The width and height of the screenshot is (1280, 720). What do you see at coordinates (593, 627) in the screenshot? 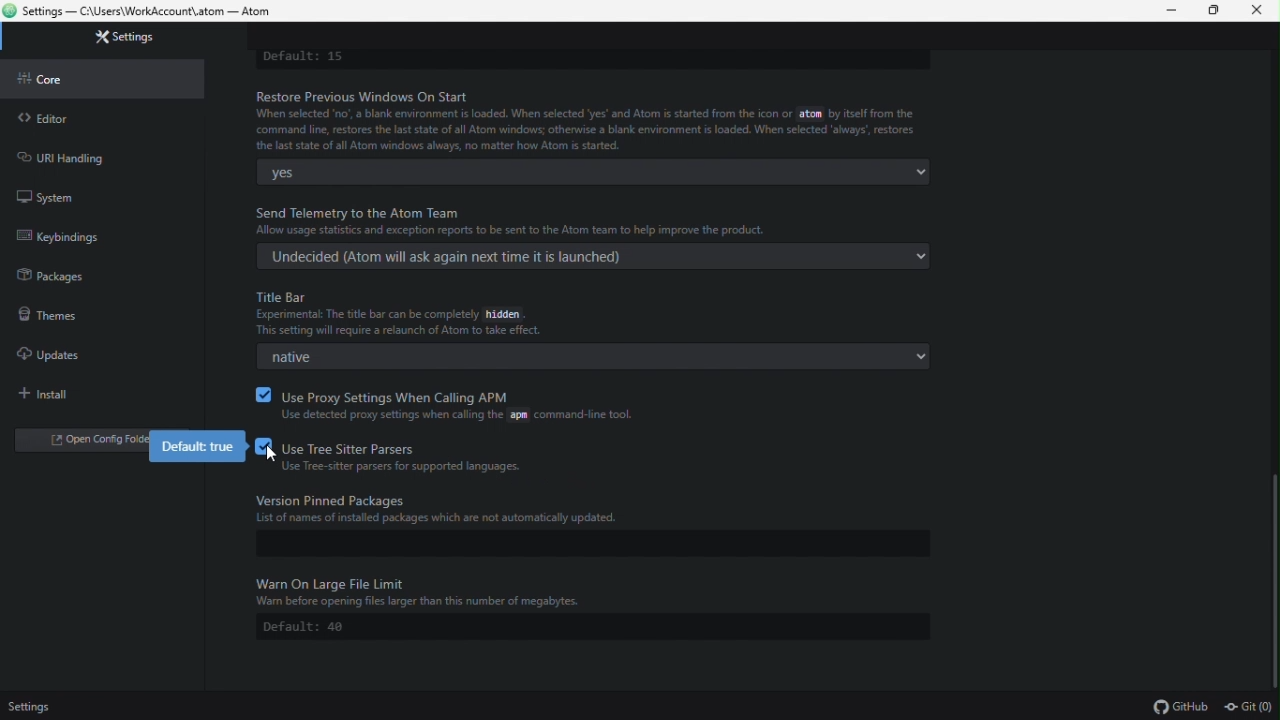
I see `default` at bounding box center [593, 627].